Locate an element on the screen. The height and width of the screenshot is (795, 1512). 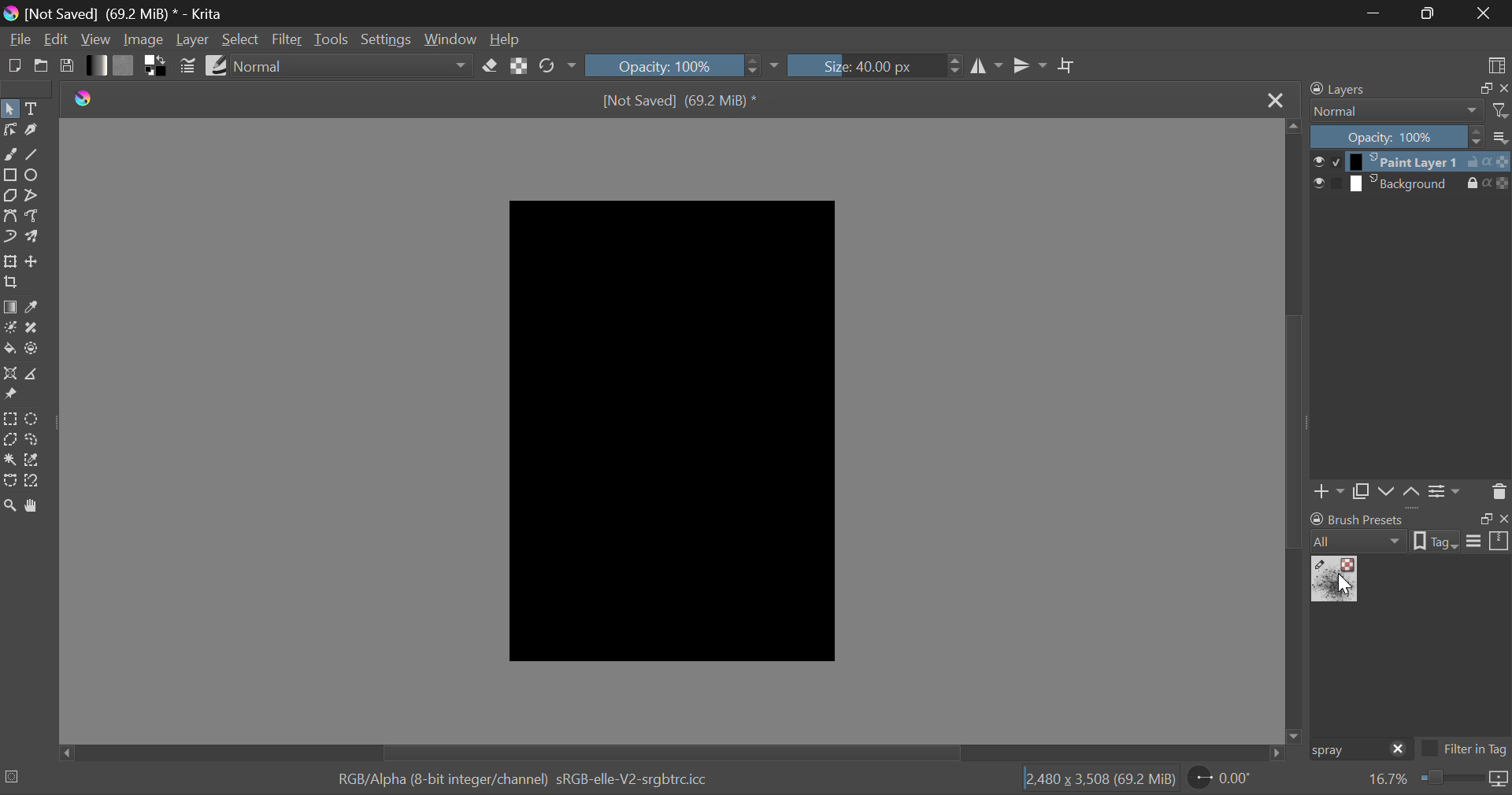
Copy Layer is located at coordinates (1361, 494).